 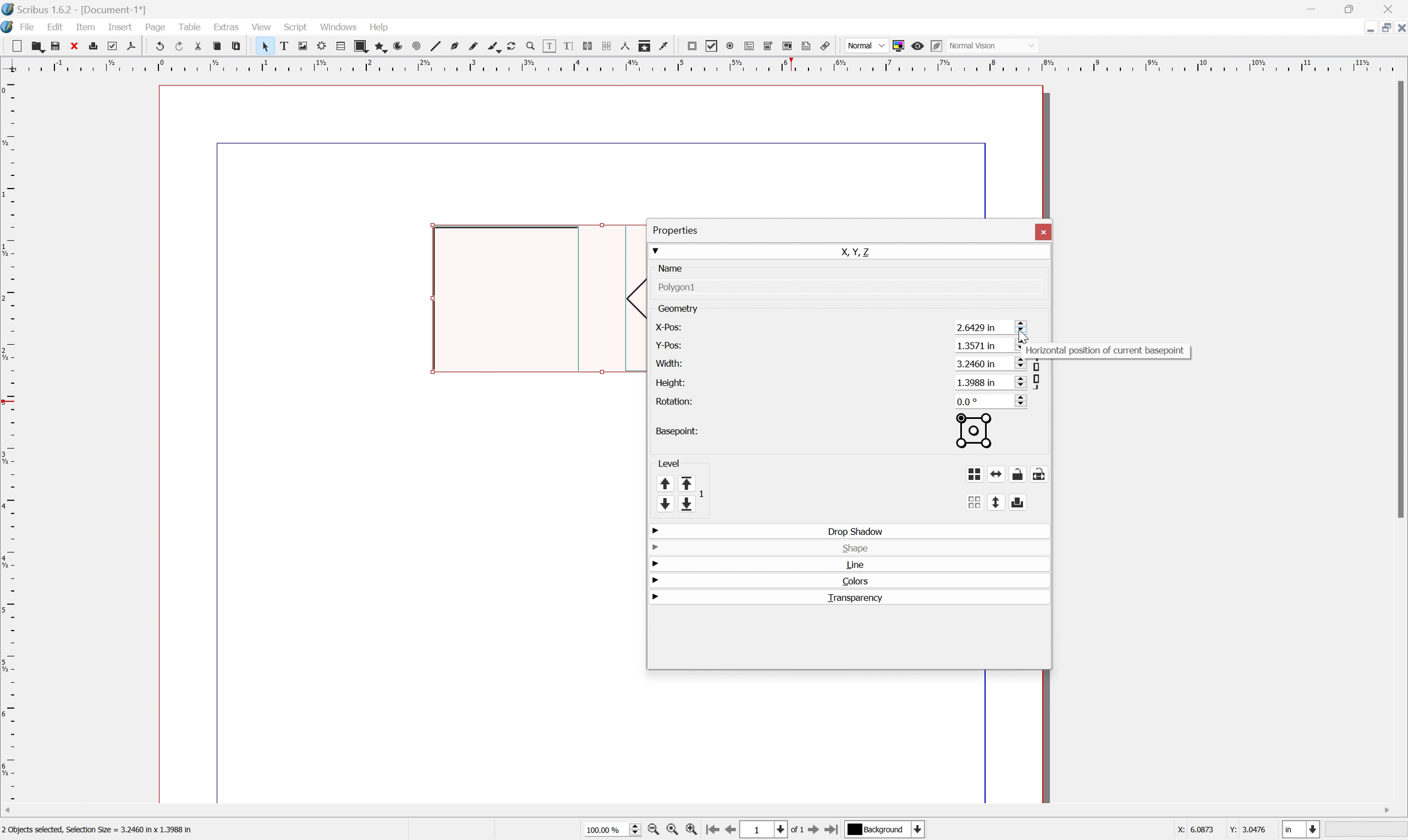 I want to click on zoom in or zoom out, so click(x=527, y=46).